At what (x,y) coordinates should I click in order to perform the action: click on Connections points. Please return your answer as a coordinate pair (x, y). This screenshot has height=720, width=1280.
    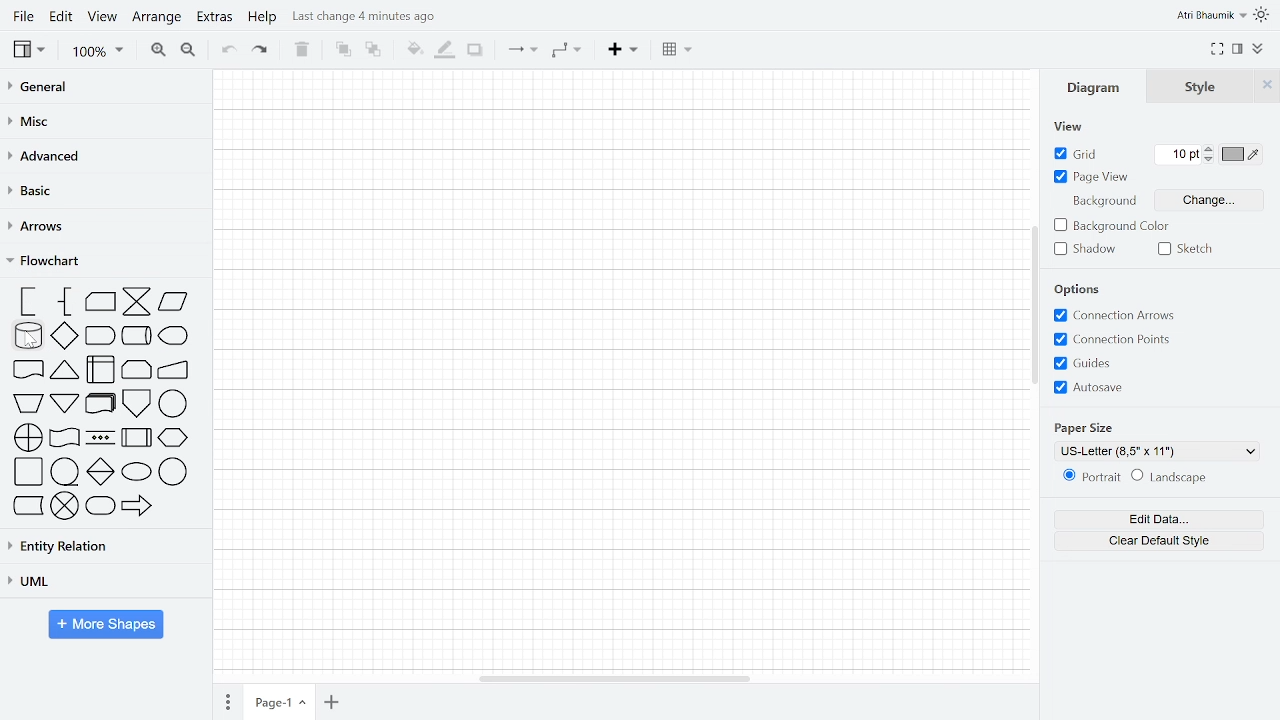
    Looking at the image, I should click on (1113, 339).